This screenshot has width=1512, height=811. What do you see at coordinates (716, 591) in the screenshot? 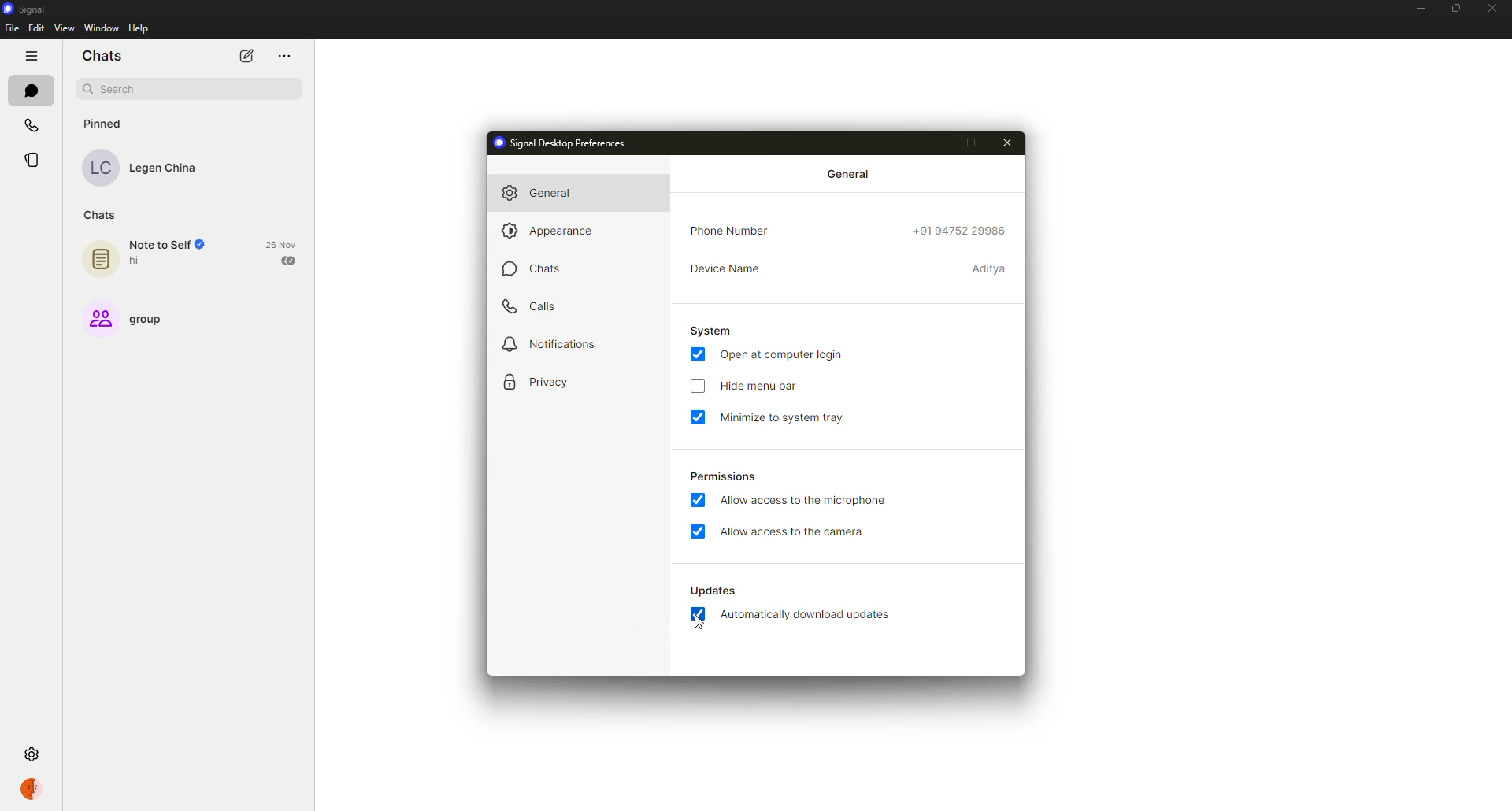
I see `updates` at bounding box center [716, 591].